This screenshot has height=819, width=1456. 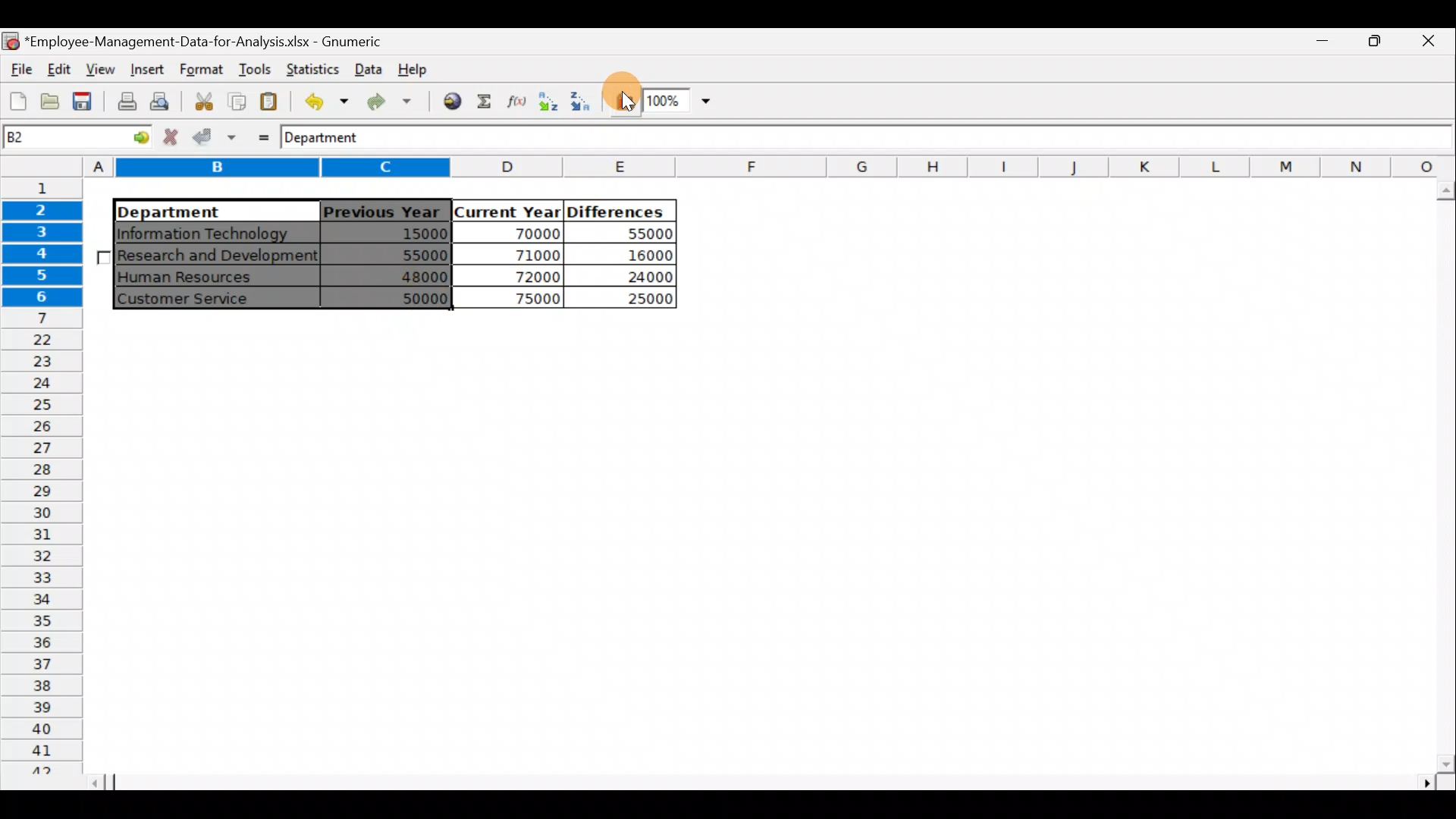 What do you see at coordinates (453, 102) in the screenshot?
I see `Insert hyperlink` at bounding box center [453, 102].